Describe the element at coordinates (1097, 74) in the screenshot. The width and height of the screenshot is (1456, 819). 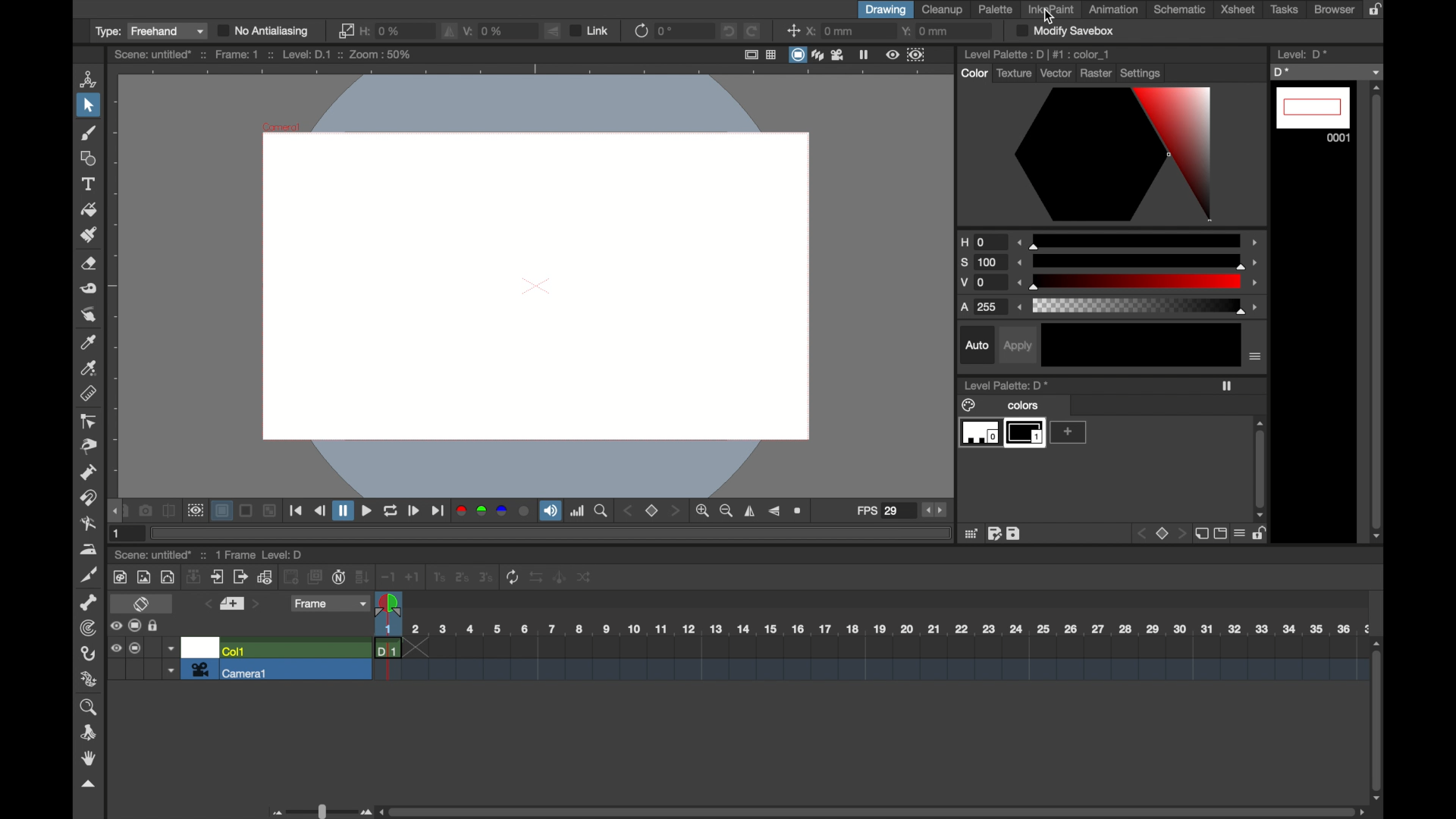
I see `raster` at that location.